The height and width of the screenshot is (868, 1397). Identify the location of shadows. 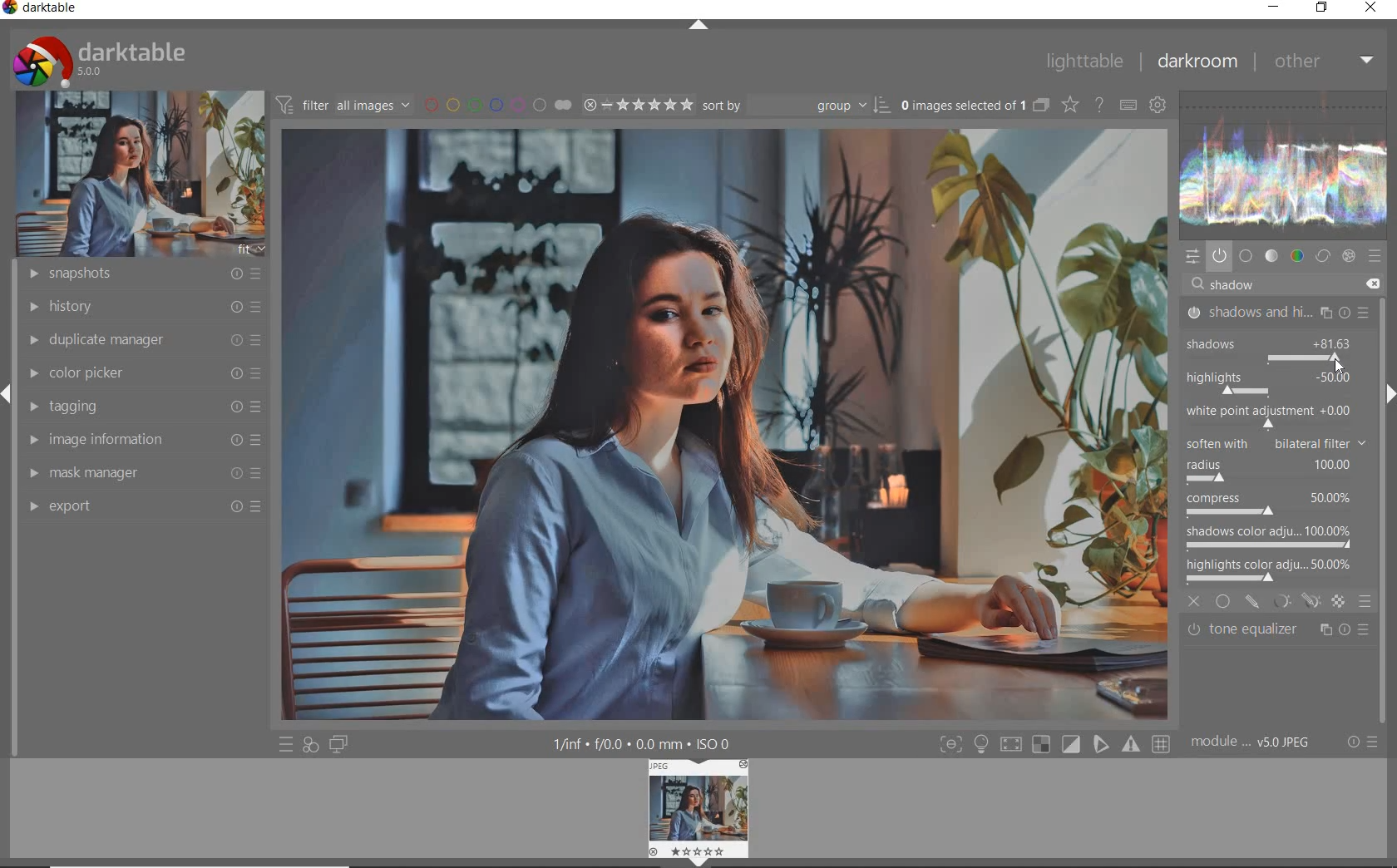
(1235, 340).